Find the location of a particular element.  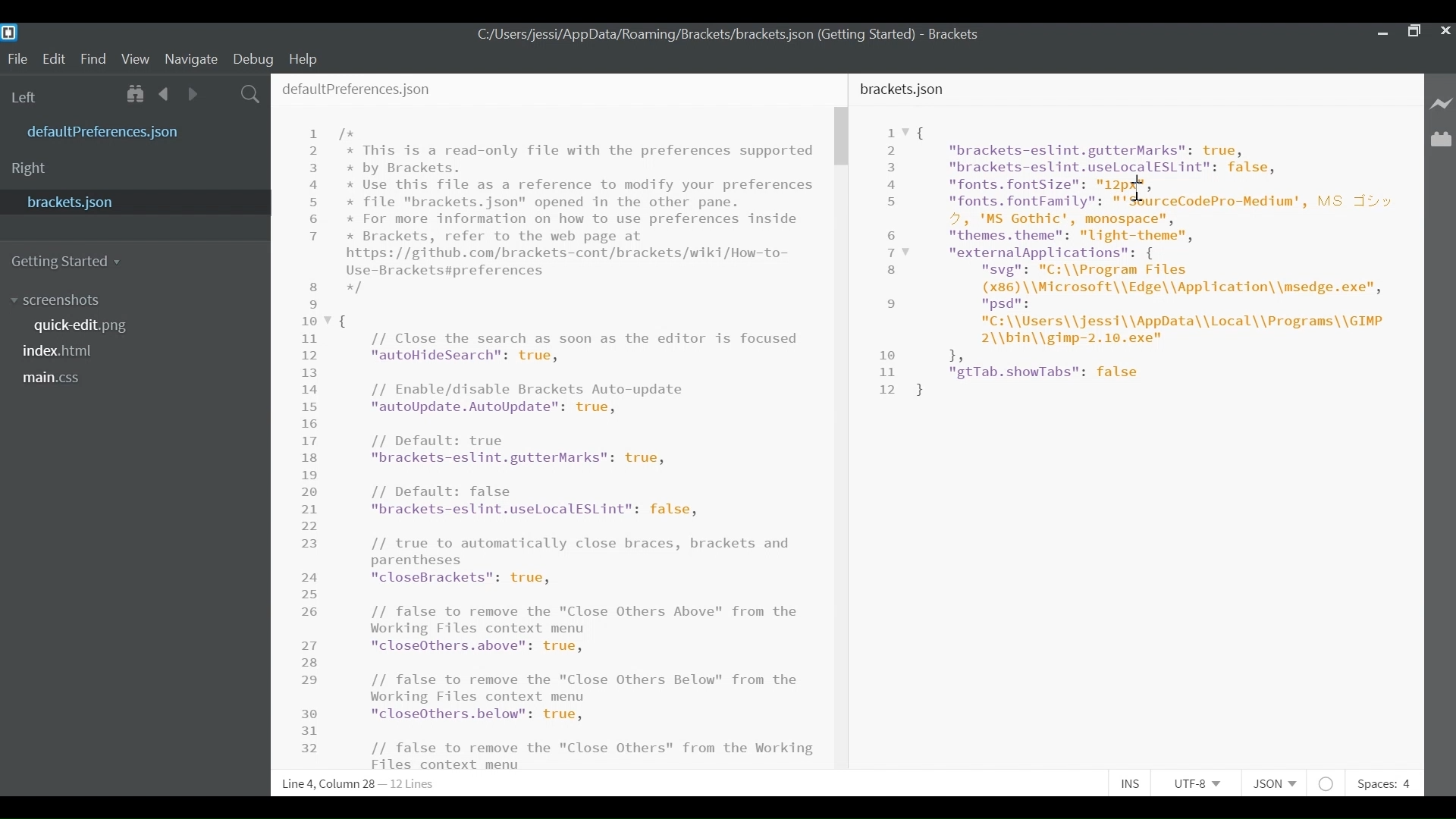

defaultPreference.json File is located at coordinates (108, 133).